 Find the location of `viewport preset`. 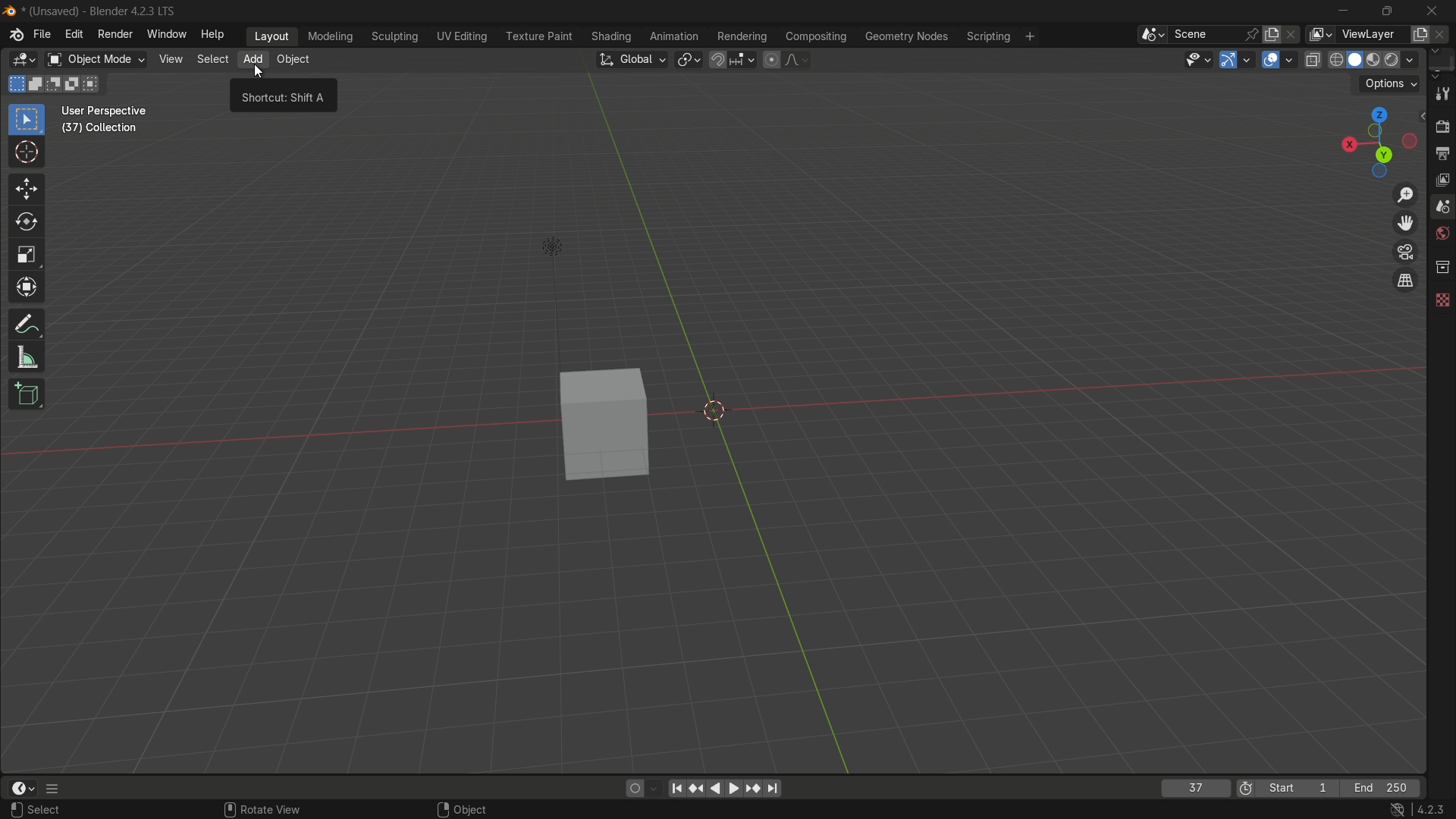

viewport preset is located at coordinates (1375, 141).